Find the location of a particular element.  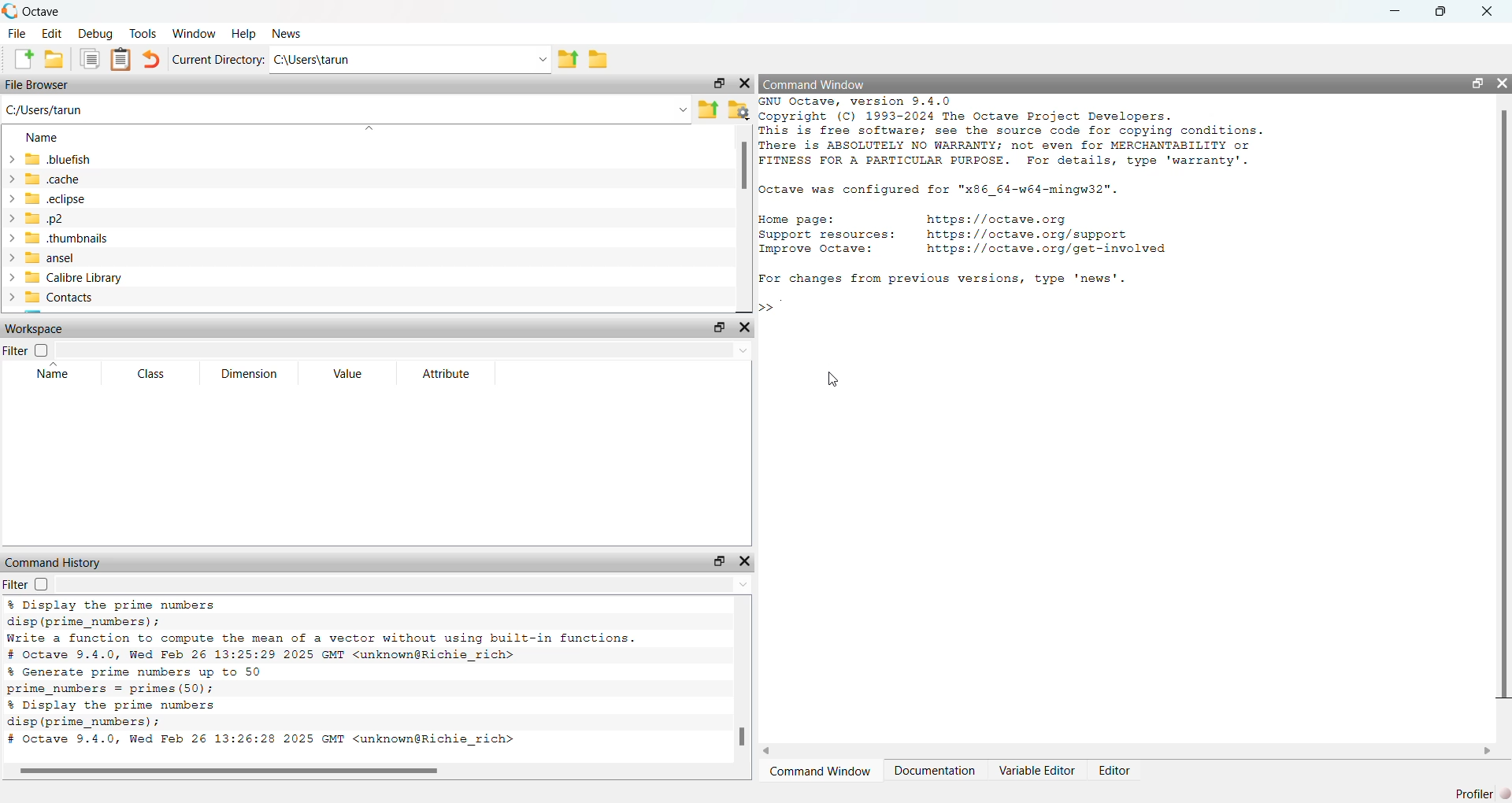

Filter is located at coordinates (28, 350).